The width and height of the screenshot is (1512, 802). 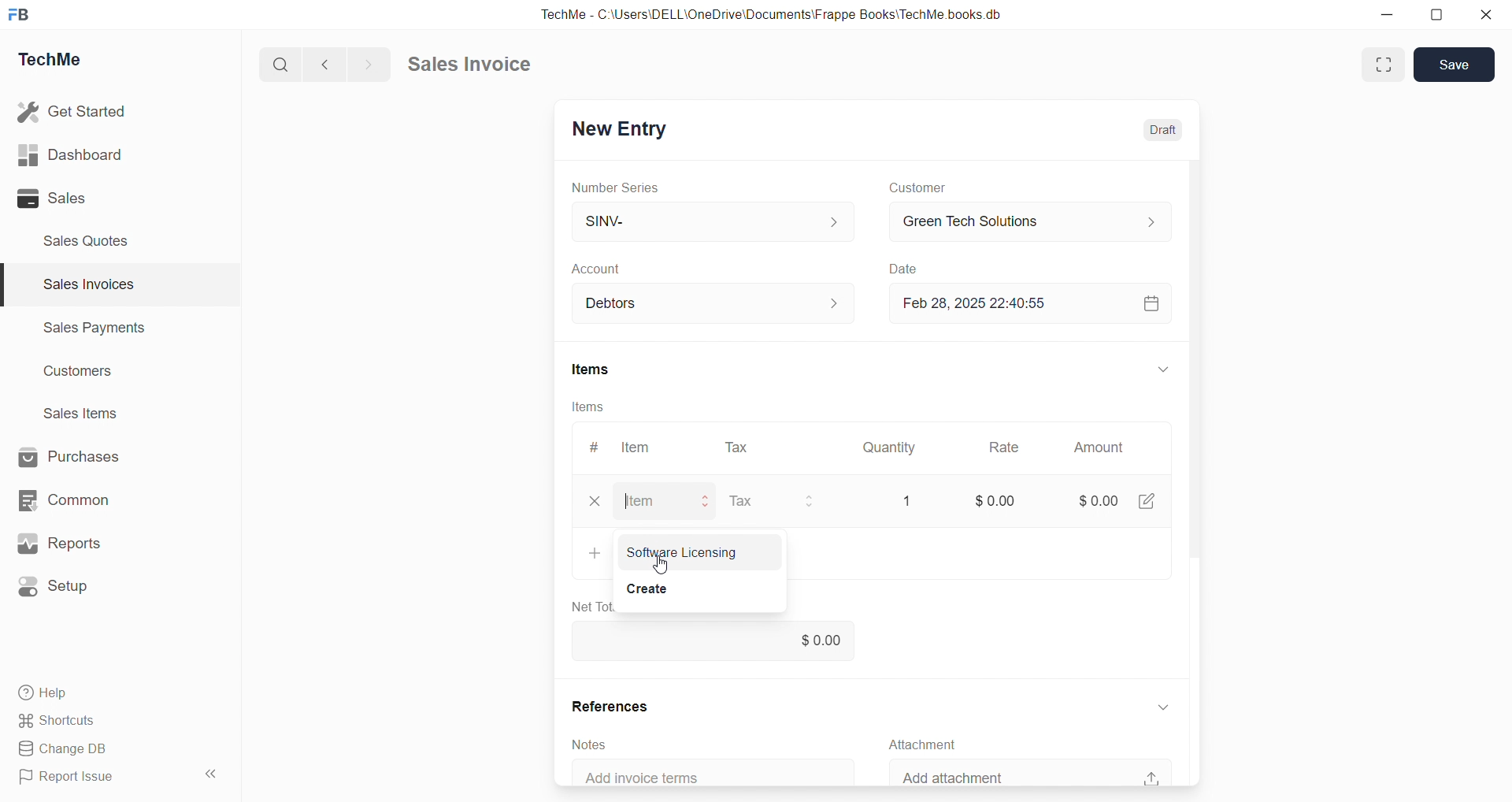 What do you see at coordinates (82, 413) in the screenshot?
I see `Sales items` at bounding box center [82, 413].